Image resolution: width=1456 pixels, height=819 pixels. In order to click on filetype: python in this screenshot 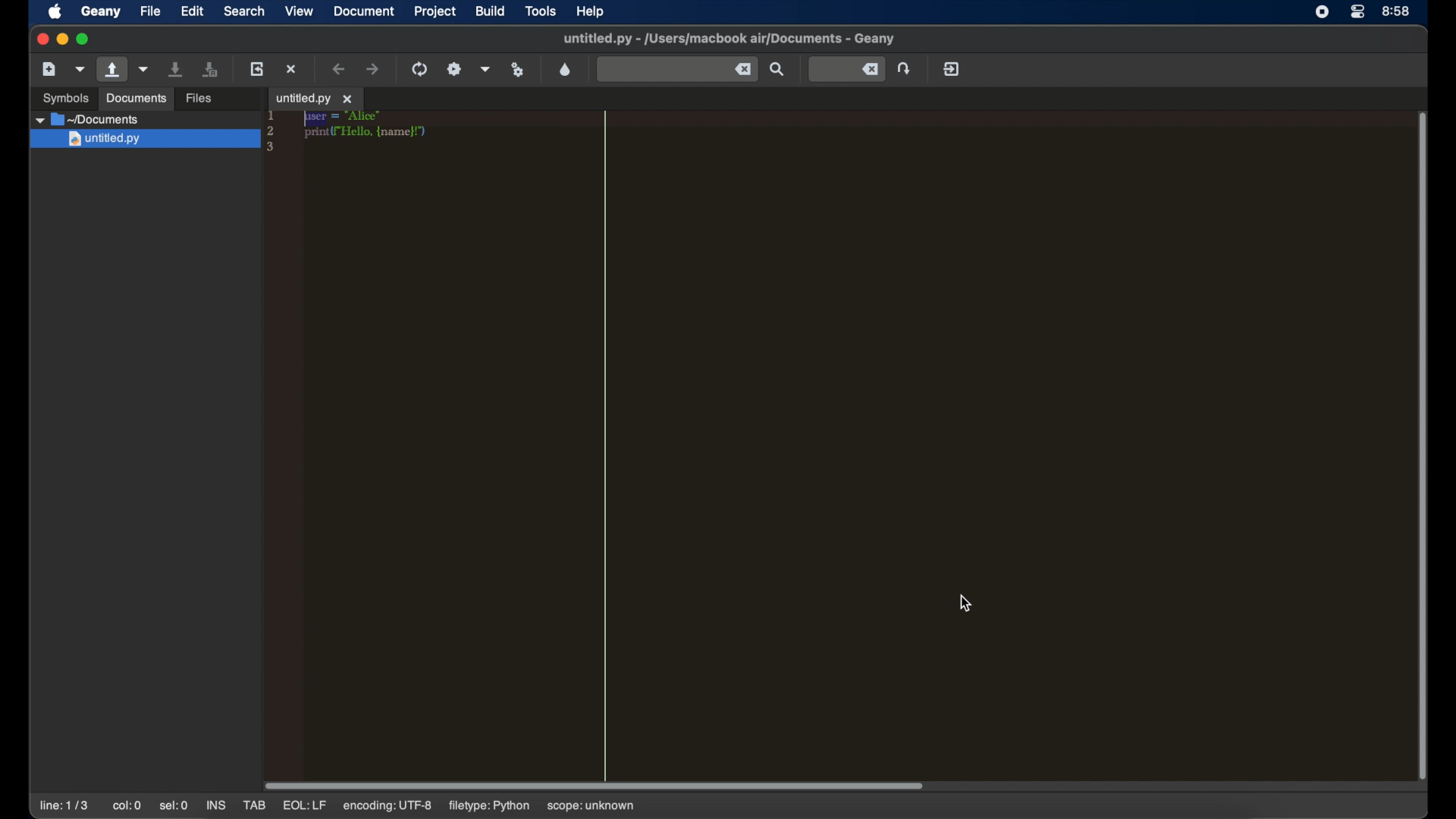, I will do `click(491, 807)`.